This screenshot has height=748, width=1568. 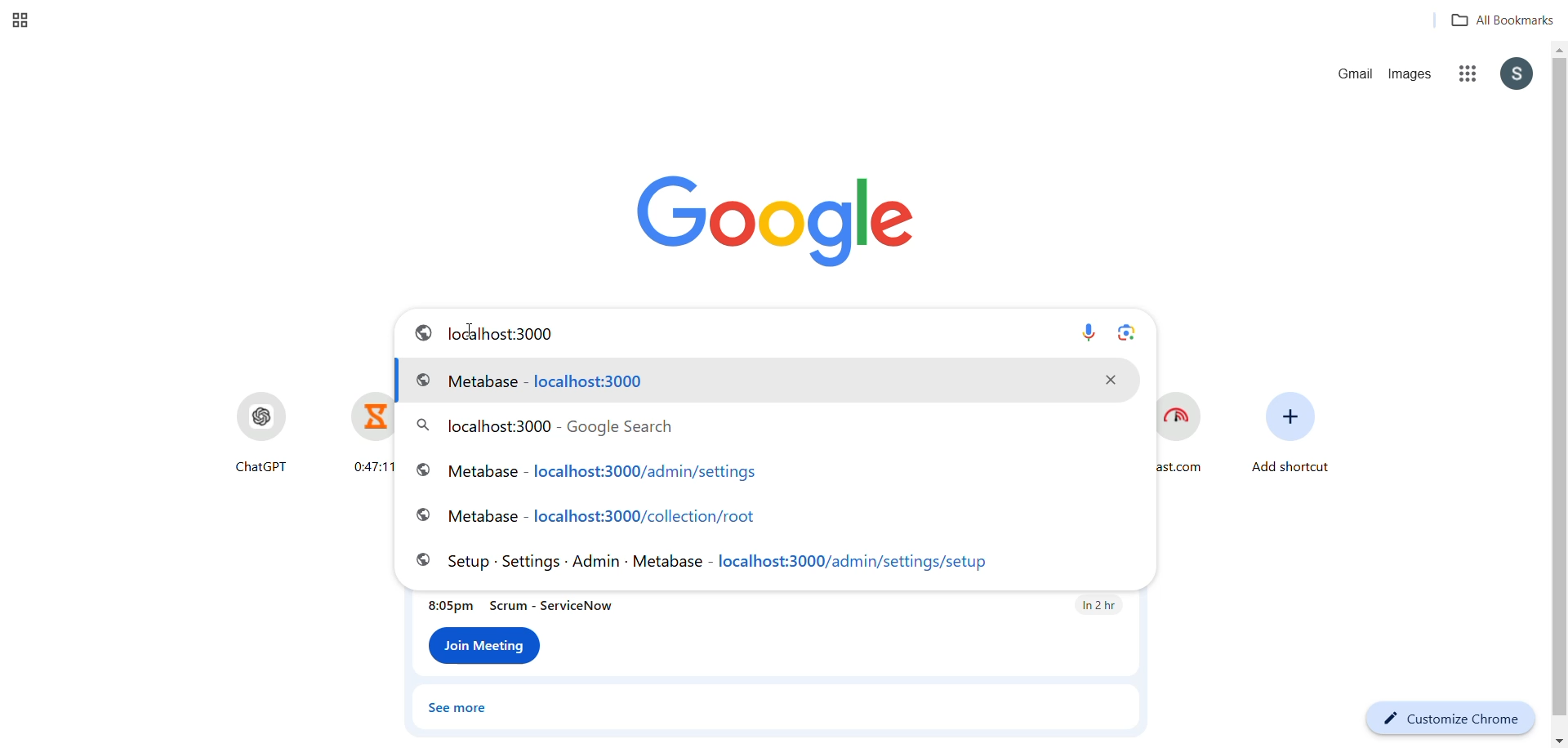 I want to click on histroy, so click(x=775, y=472).